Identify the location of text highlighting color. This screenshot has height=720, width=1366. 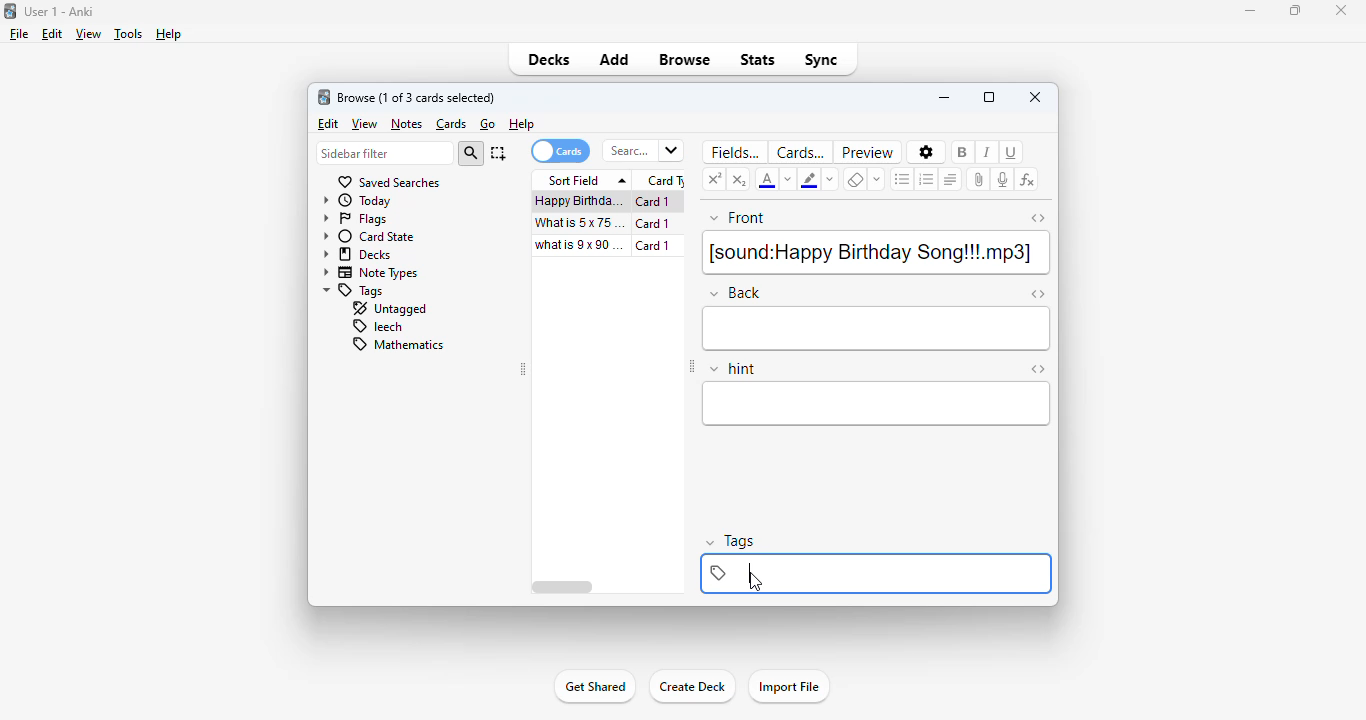
(809, 179).